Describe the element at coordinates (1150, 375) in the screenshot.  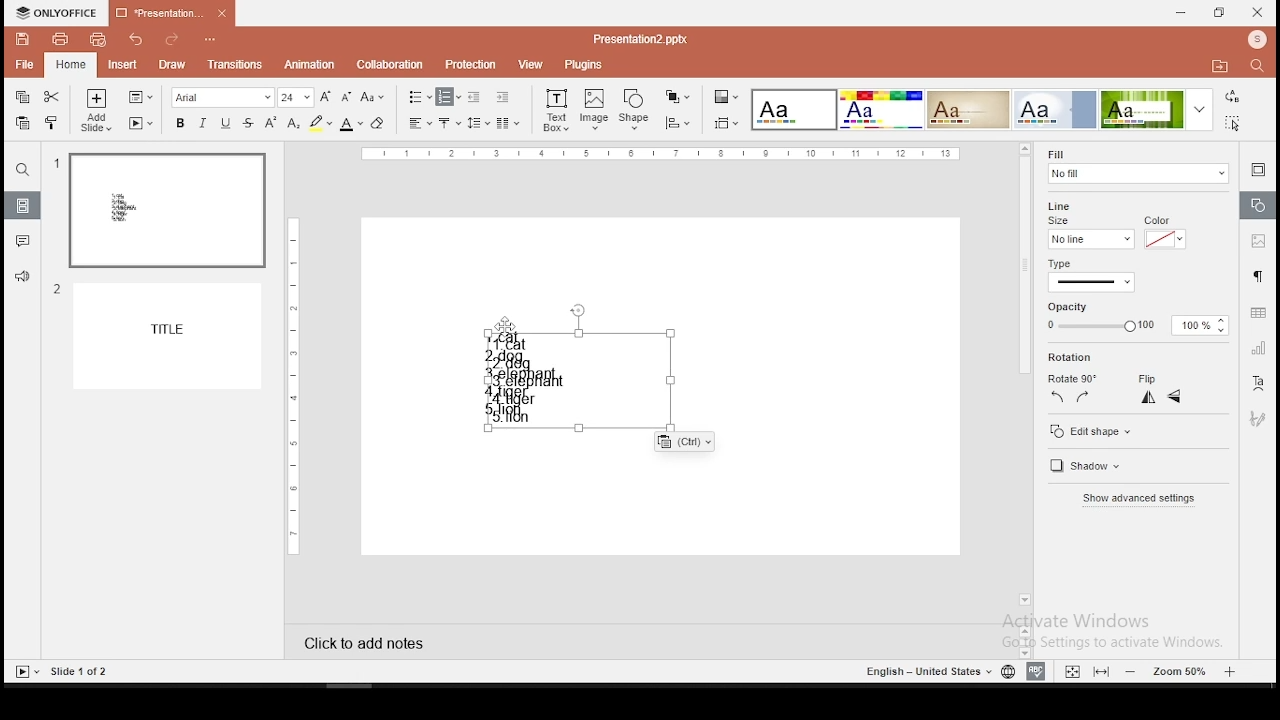
I see `flip` at that location.